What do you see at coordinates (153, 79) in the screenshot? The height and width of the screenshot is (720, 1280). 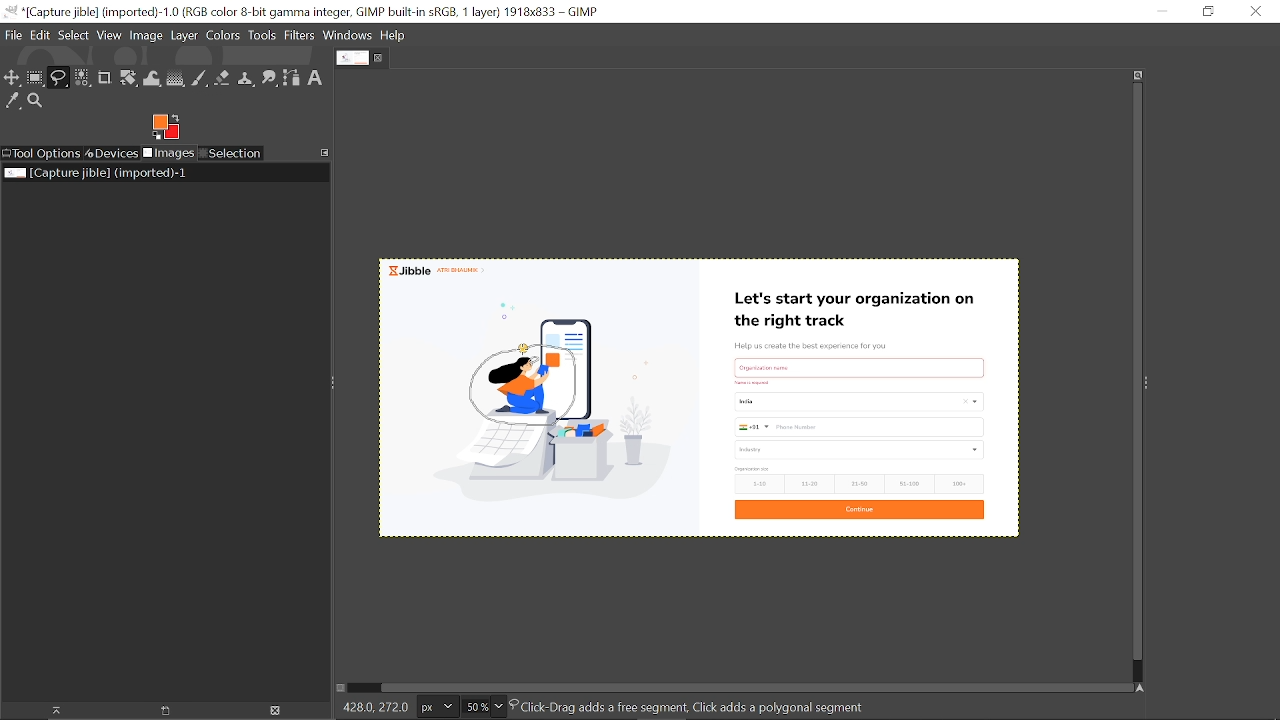 I see `Wrap text tool` at bounding box center [153, 79].